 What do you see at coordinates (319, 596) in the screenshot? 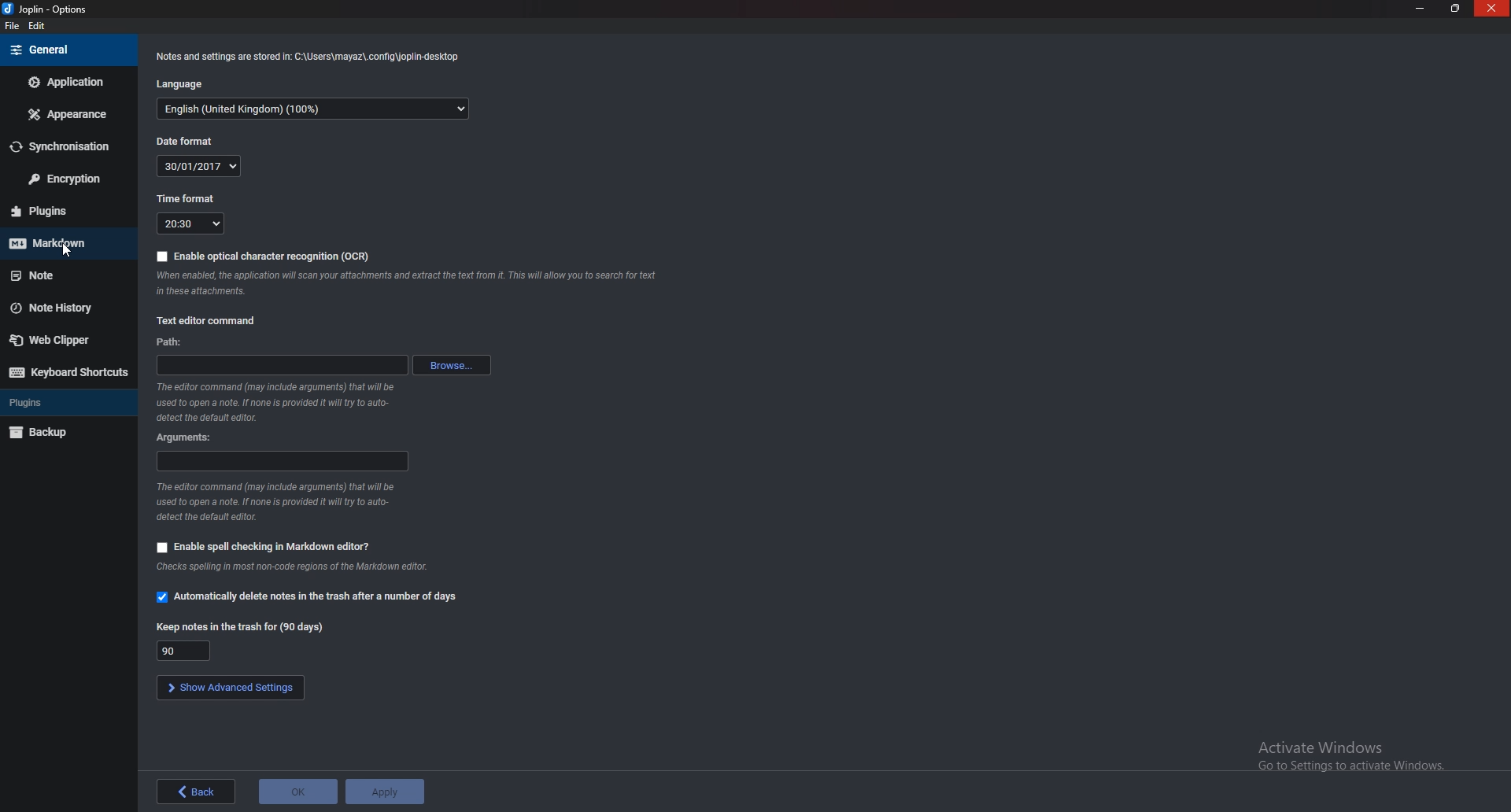
I see `Automatically delete notes` at bounding box center [319, 596].